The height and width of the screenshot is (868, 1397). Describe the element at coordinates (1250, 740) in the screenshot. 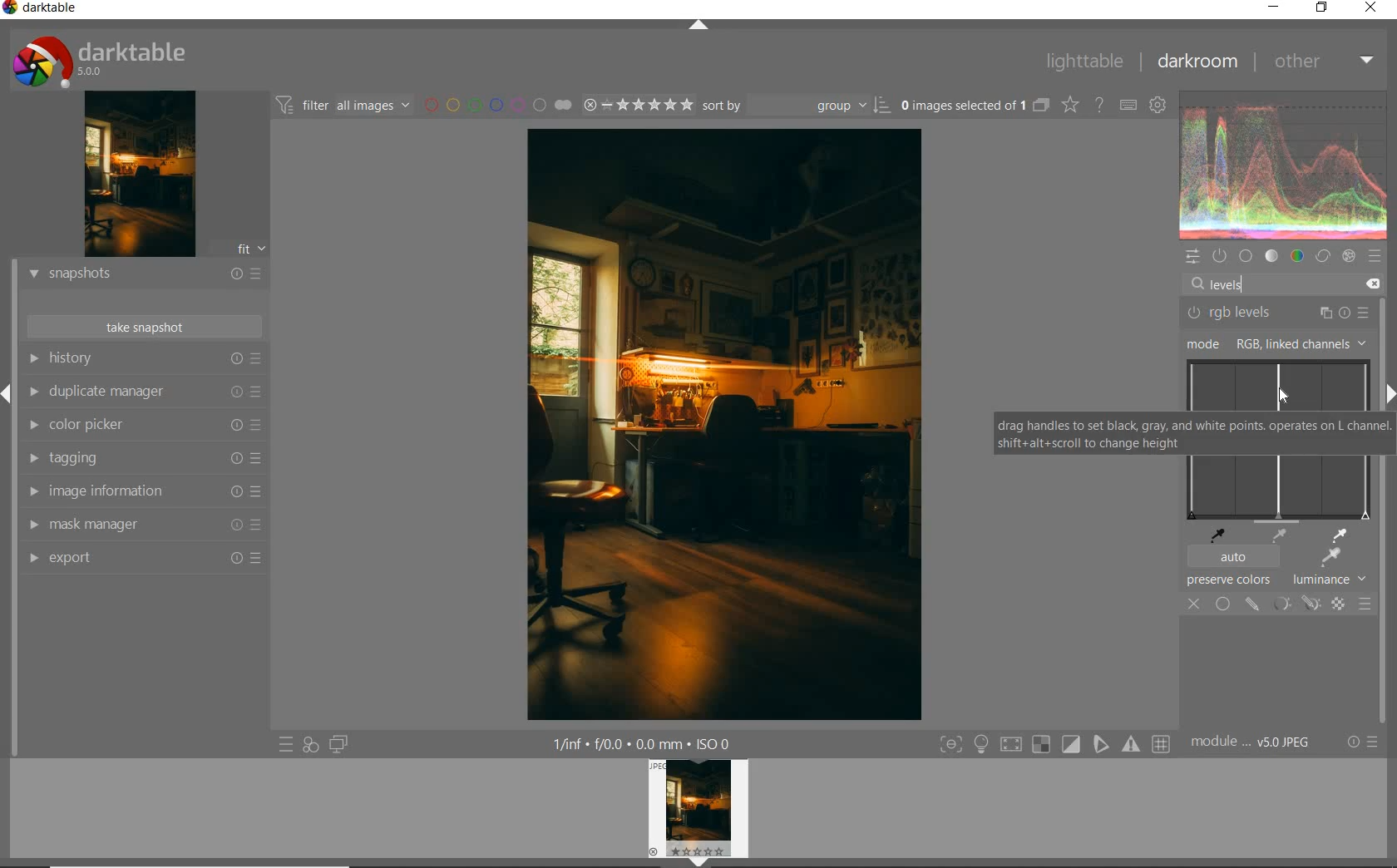

I see `module` at that location.